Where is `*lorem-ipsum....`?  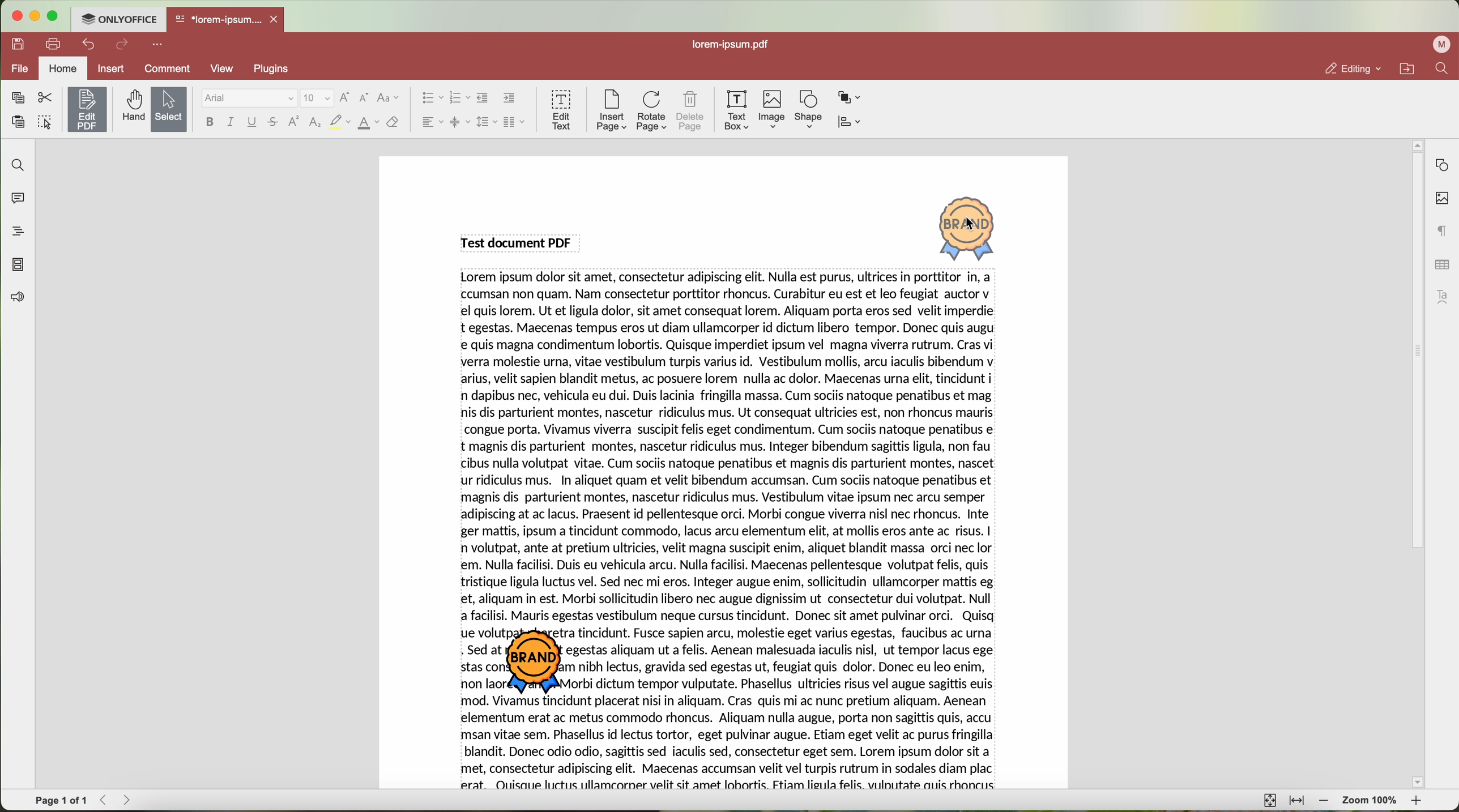 *lorem-ipsum.... is located at coordinates (217, 17).